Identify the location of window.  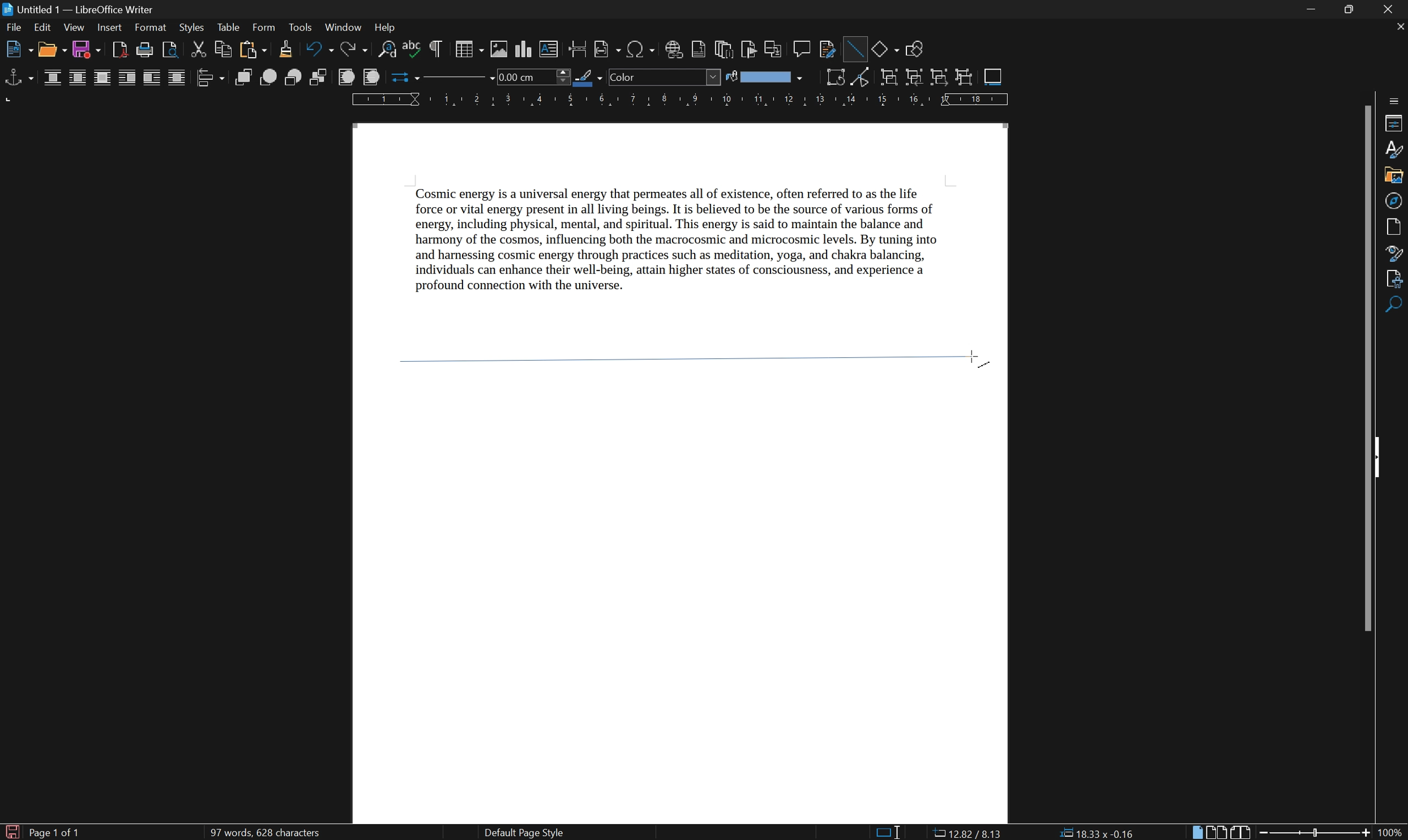
(343, 27).